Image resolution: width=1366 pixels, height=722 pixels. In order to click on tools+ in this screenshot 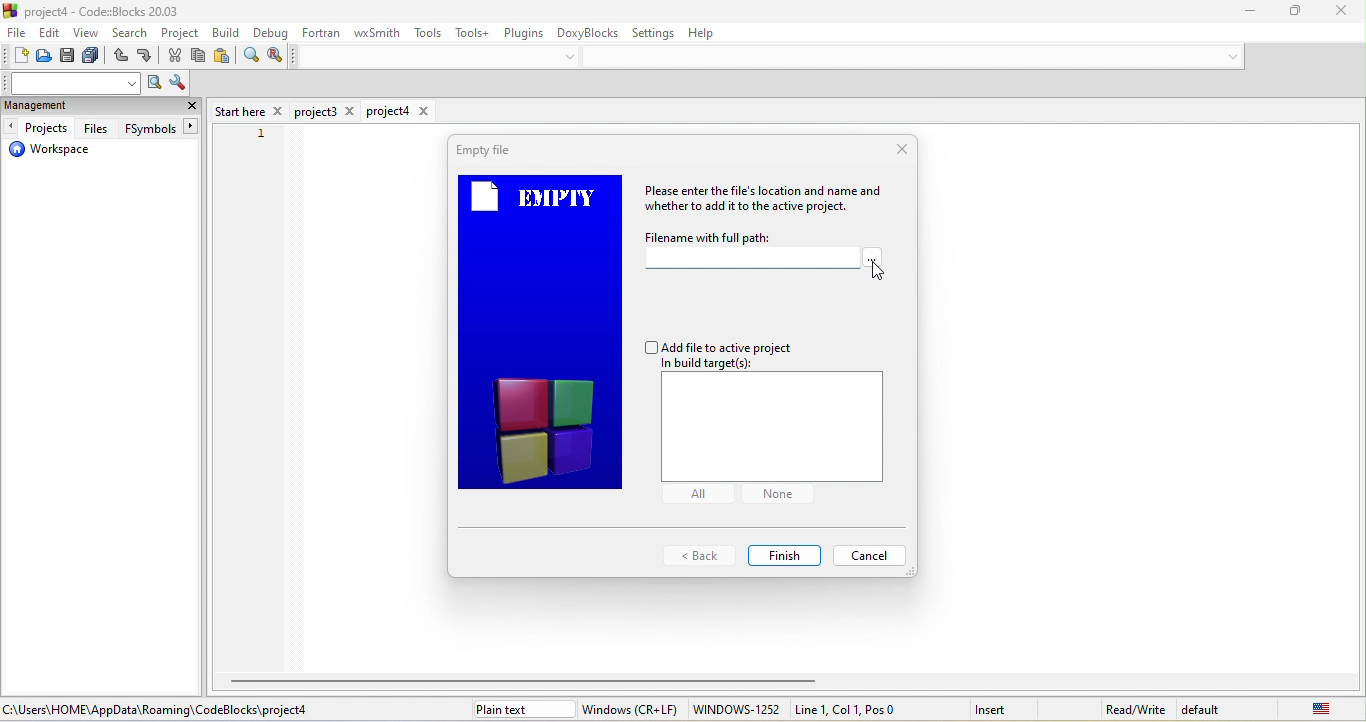, I will do `click(471, 32)`.